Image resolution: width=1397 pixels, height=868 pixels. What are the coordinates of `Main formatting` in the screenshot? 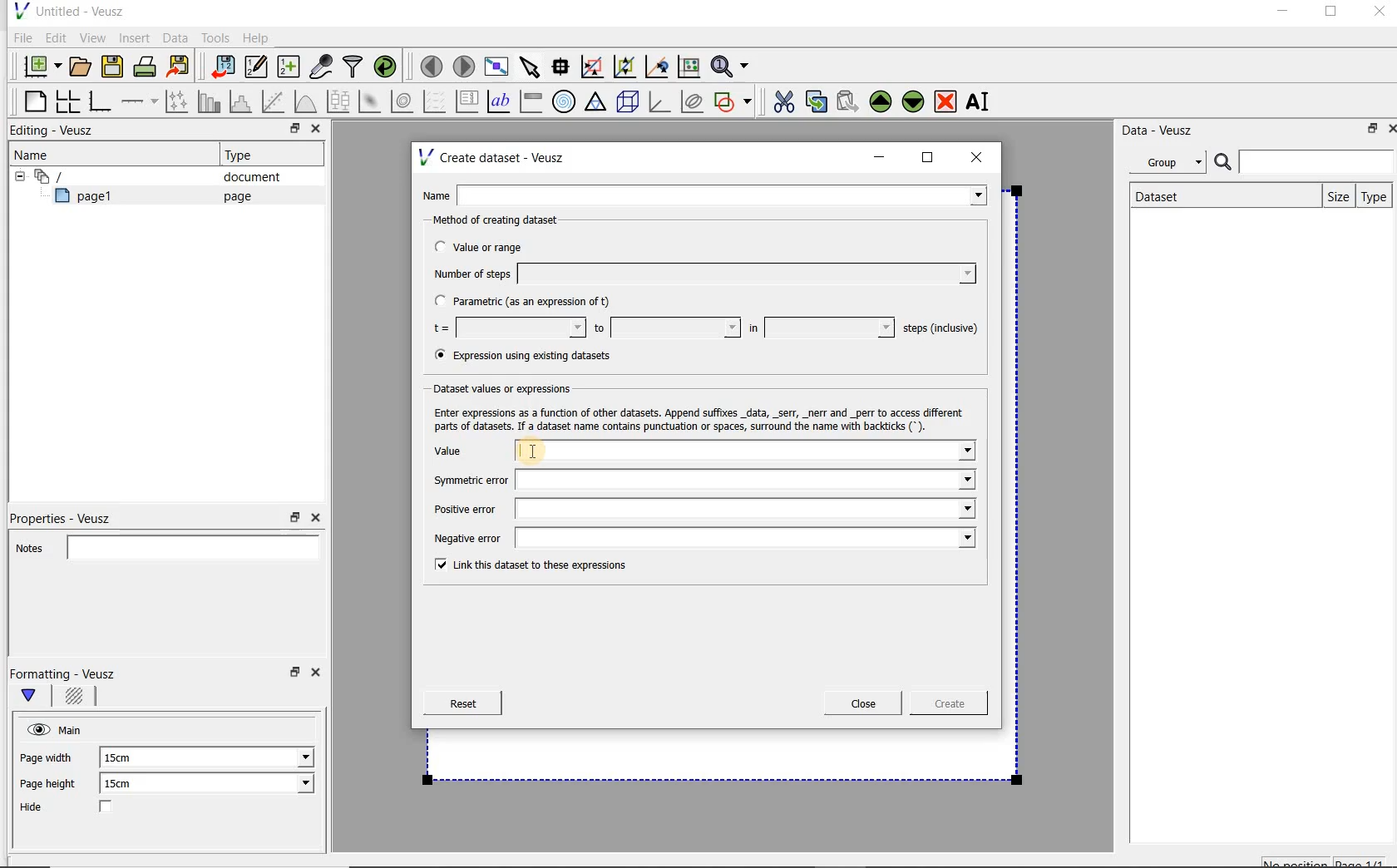 It's located at (36, 697).